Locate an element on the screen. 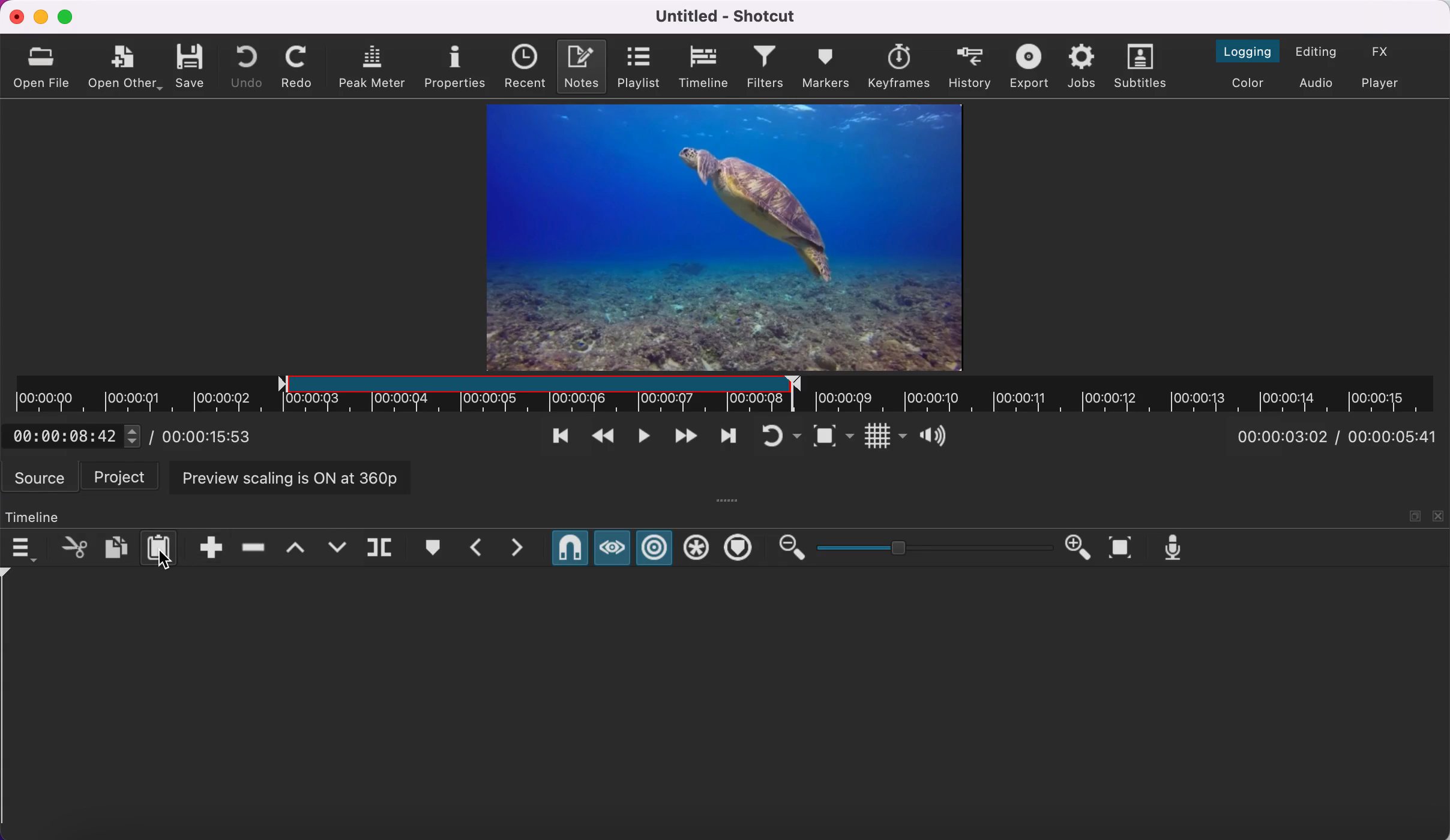 This screenshot has height=840, width=1450. markers is located at coordinates (826, 68).